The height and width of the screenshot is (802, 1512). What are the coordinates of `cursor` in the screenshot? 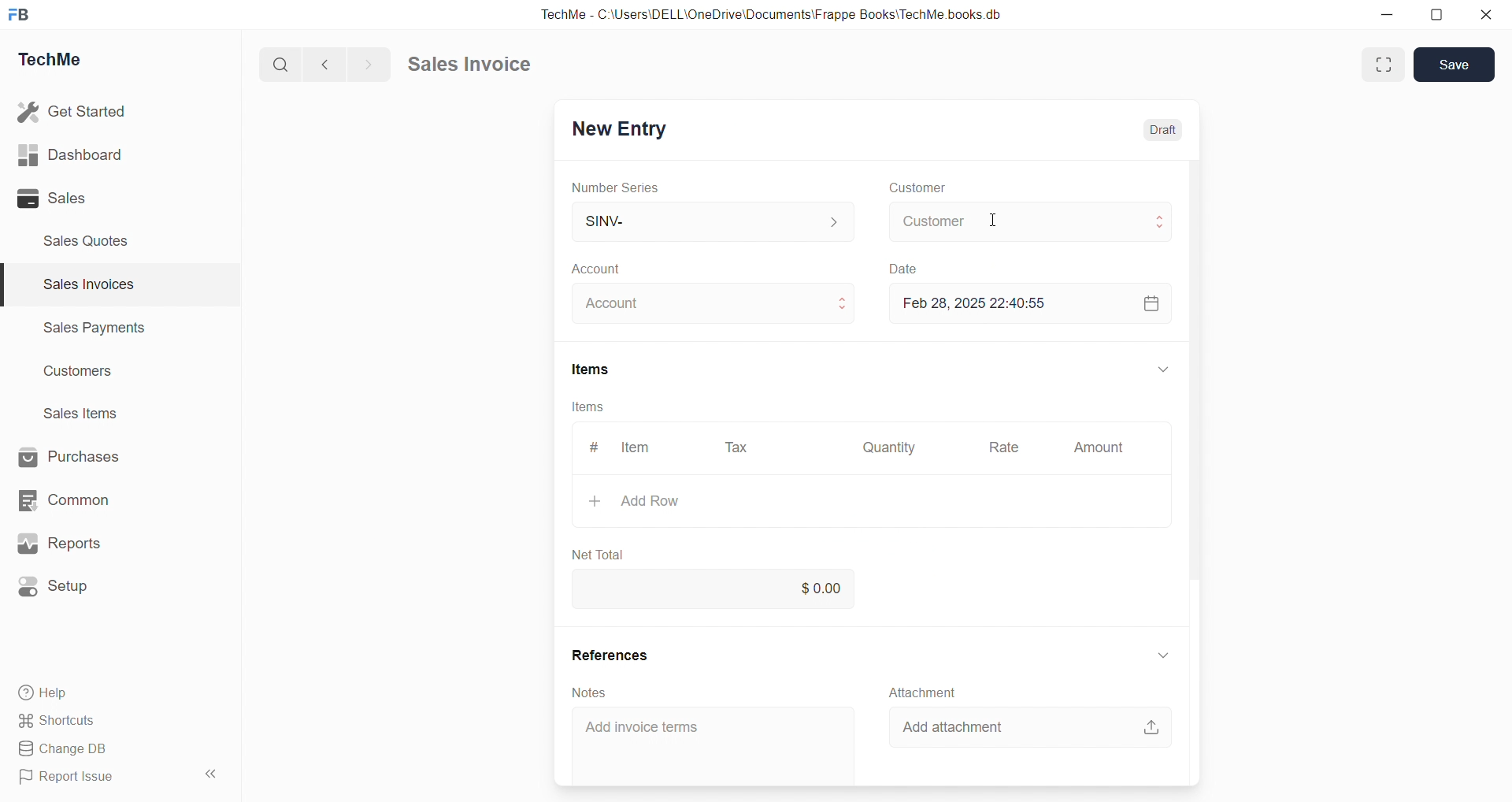 It's located at (995, 220).